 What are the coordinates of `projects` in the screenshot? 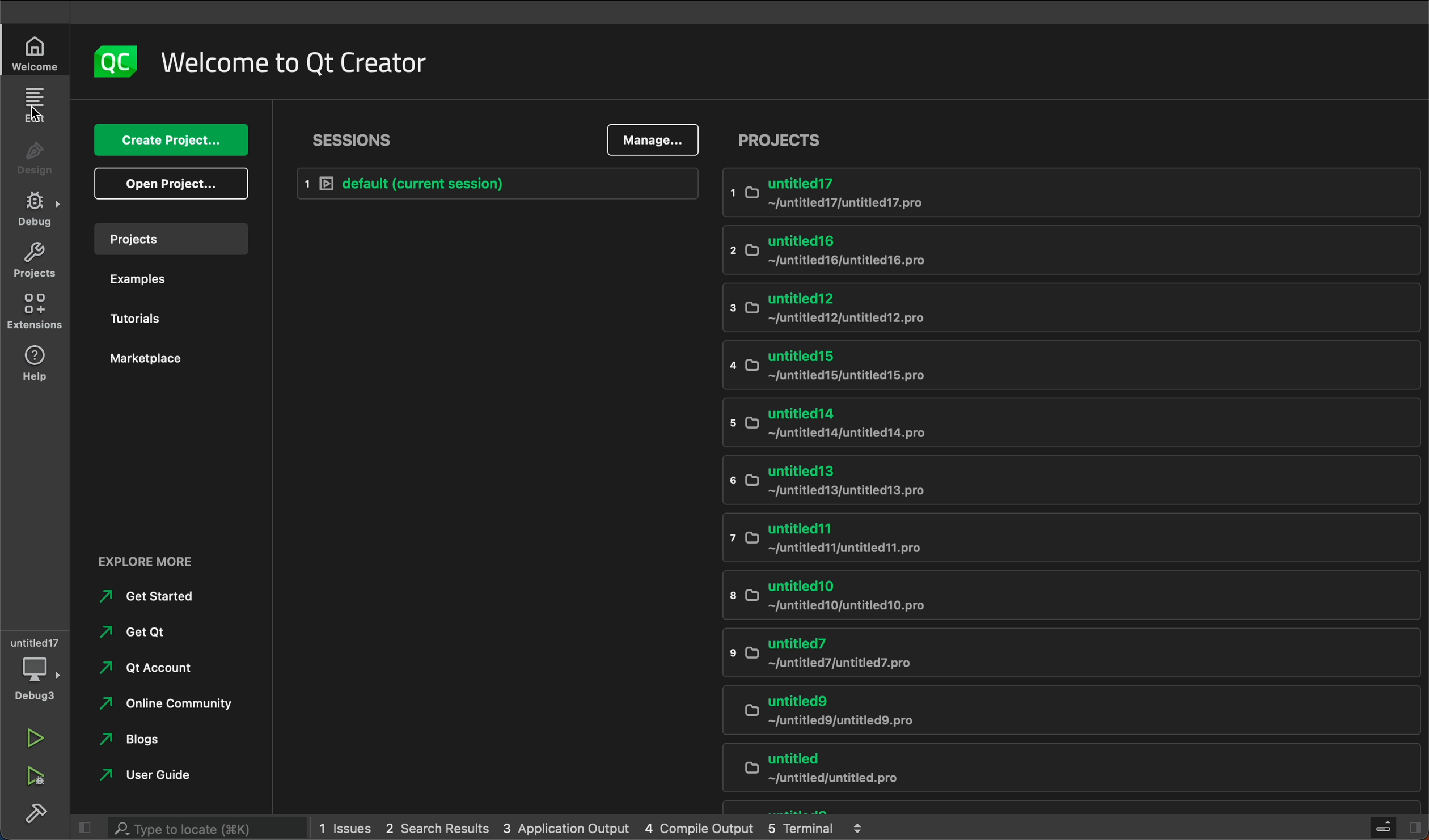 It's located at (173, 240).